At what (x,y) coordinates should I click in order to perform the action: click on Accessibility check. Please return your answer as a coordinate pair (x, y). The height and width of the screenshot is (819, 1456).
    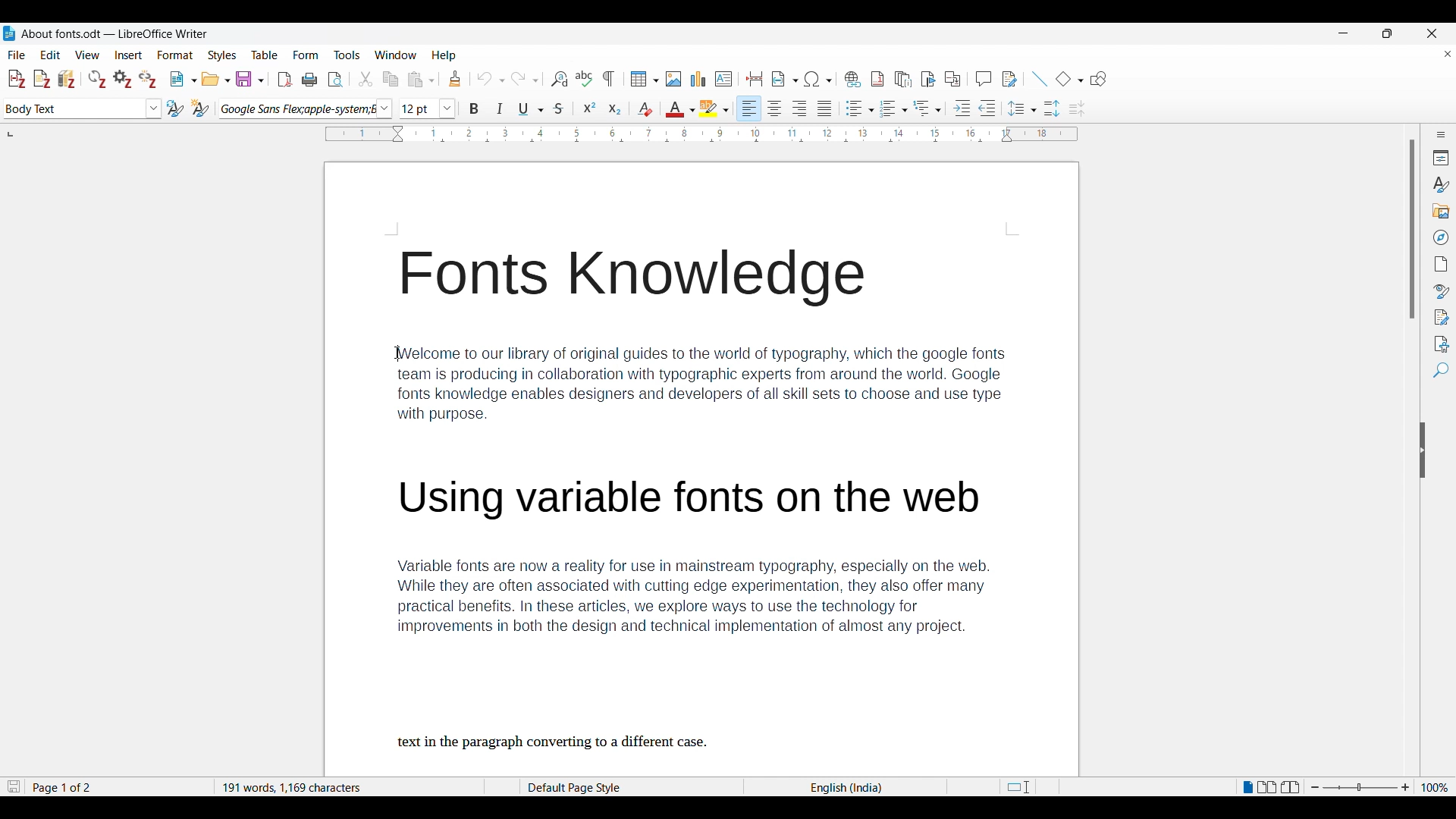
    Looking at the image, I should click on (1442, 345).